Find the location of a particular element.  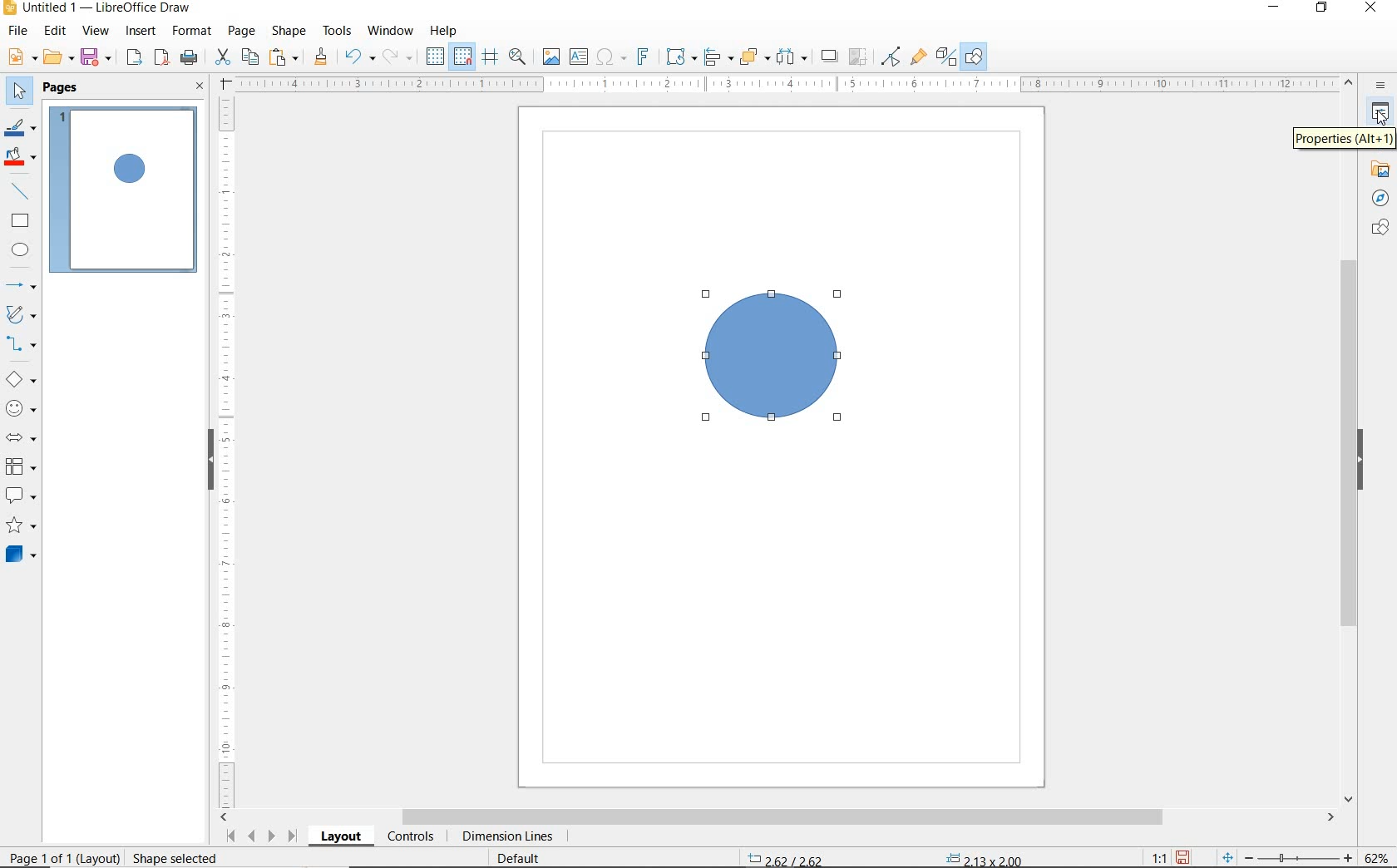

2.62/2.62 is located at coordinates (787, 859).